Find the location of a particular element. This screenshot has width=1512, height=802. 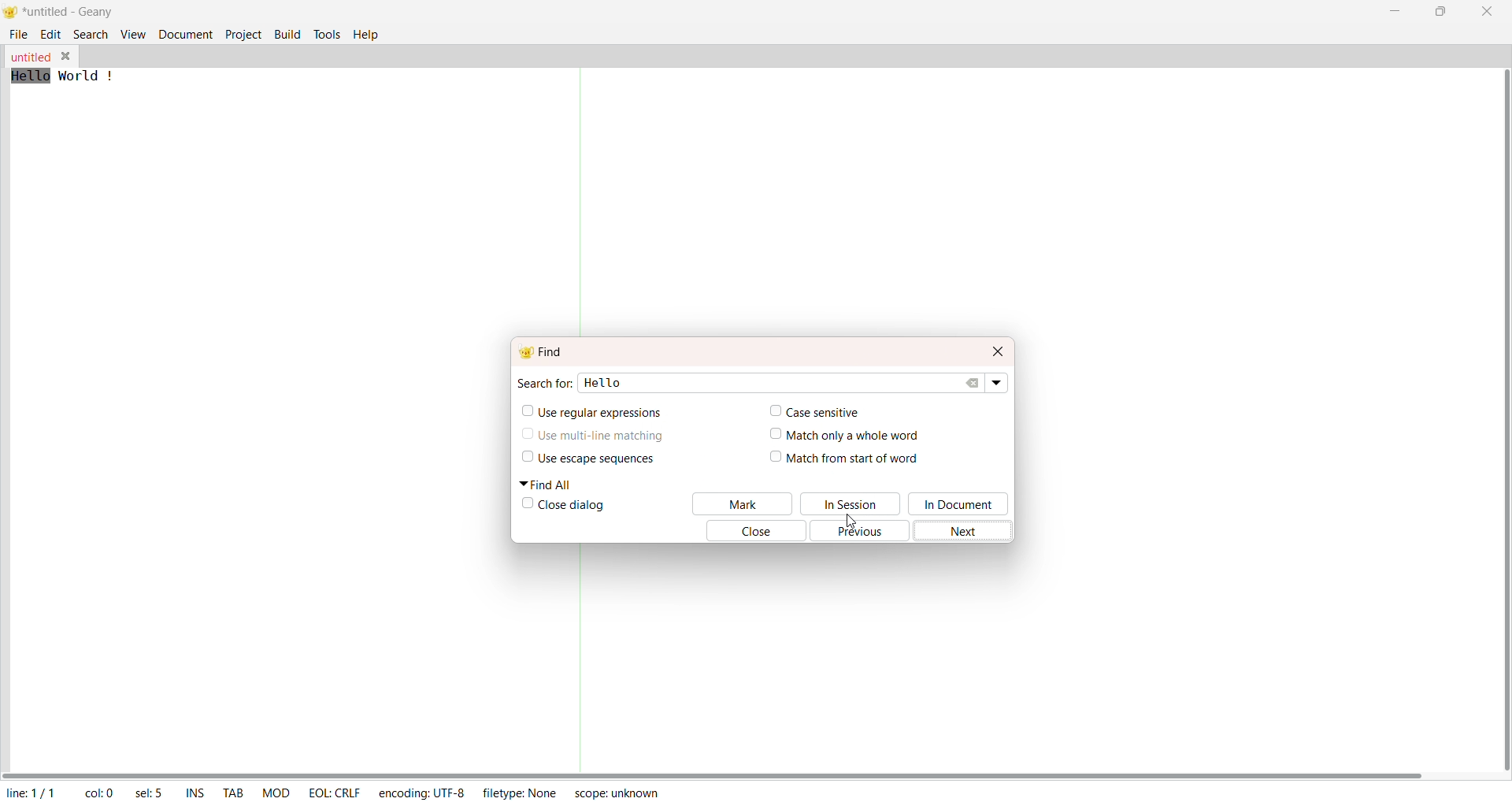

Script Unknown is located at coordinates (617, 795).